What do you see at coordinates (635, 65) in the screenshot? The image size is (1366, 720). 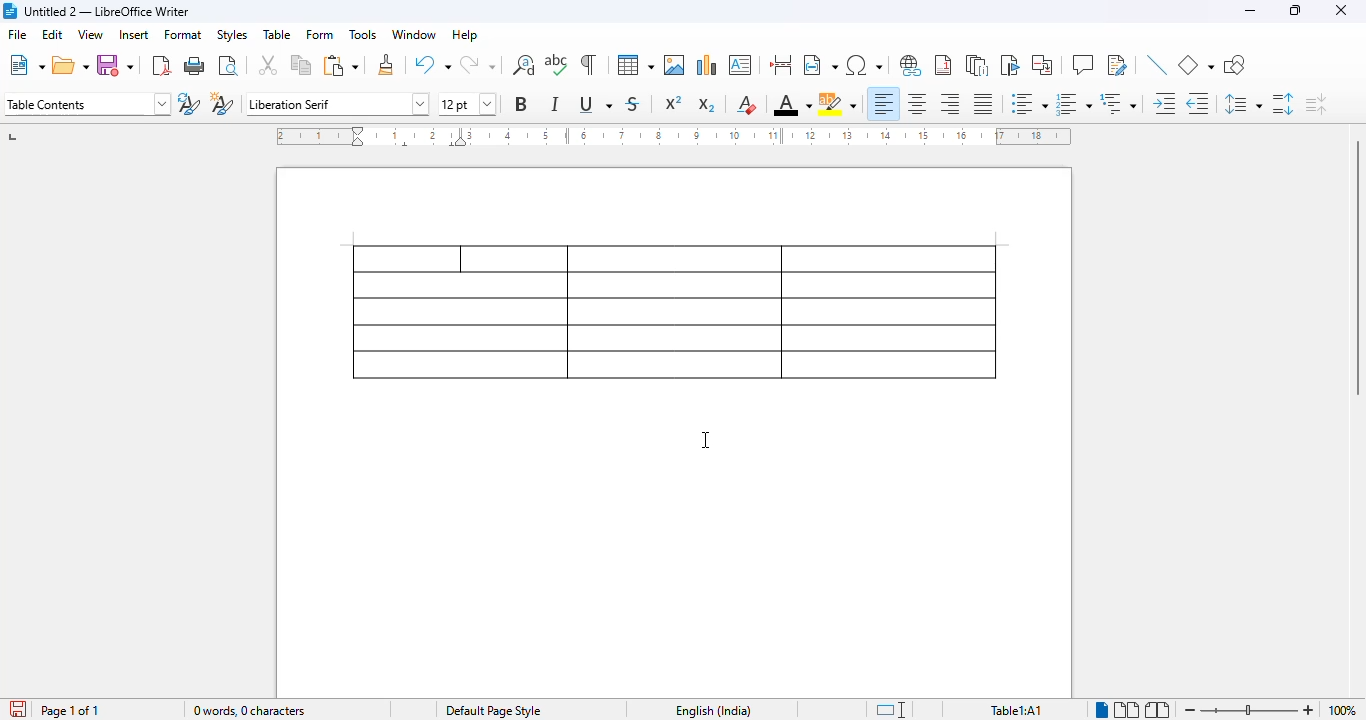 I see `table` at bounding box center [635, 65].